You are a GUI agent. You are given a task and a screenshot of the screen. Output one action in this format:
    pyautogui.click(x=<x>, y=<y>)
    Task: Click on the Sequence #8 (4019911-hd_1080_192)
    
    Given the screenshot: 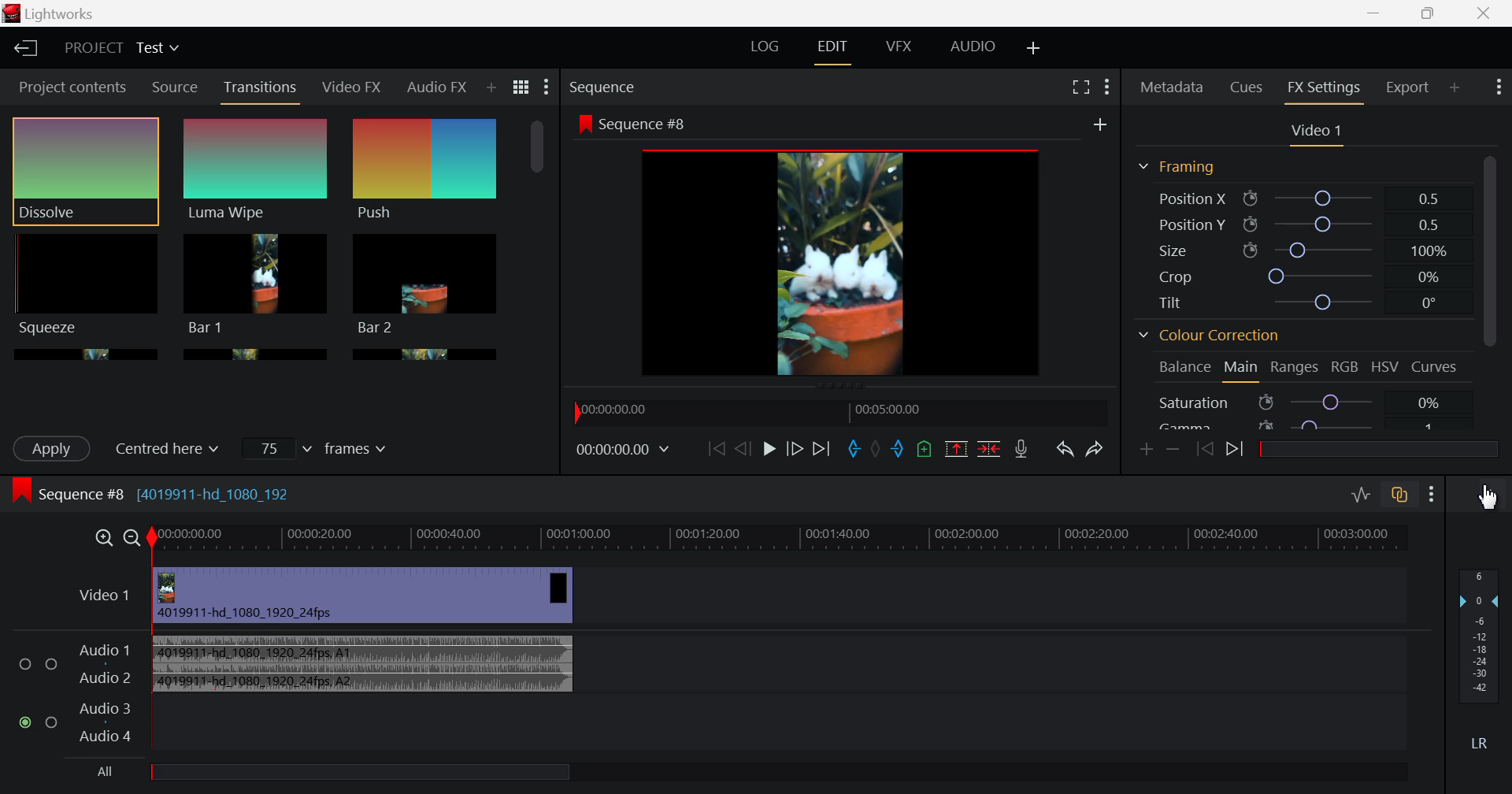 What is the action you would take?
    pyautogui.click(x=156, y=493)
    